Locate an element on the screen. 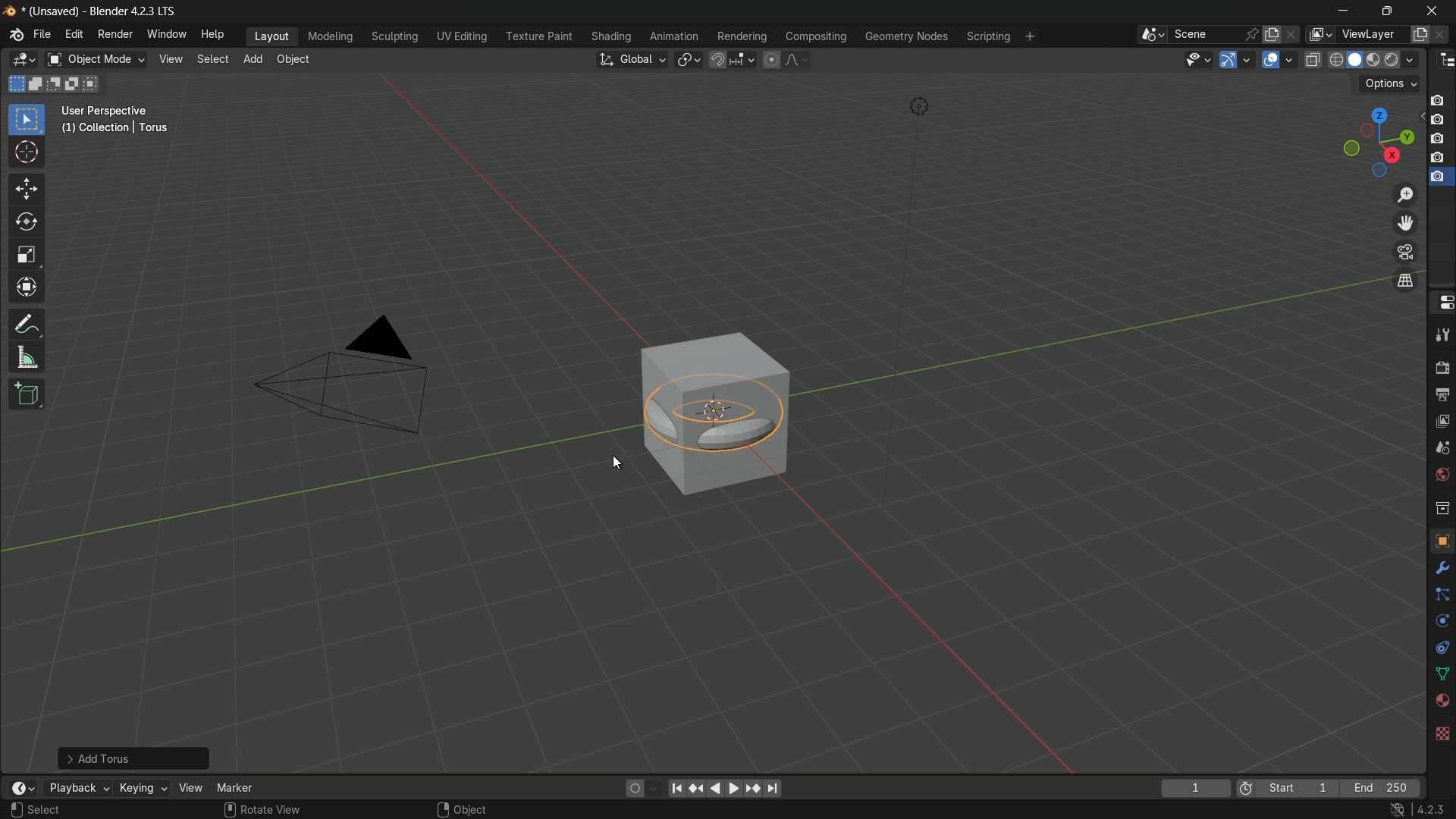 The width and height of the screenshot is (1456, 819). torus inside cube is located at coordinates (715, 409).